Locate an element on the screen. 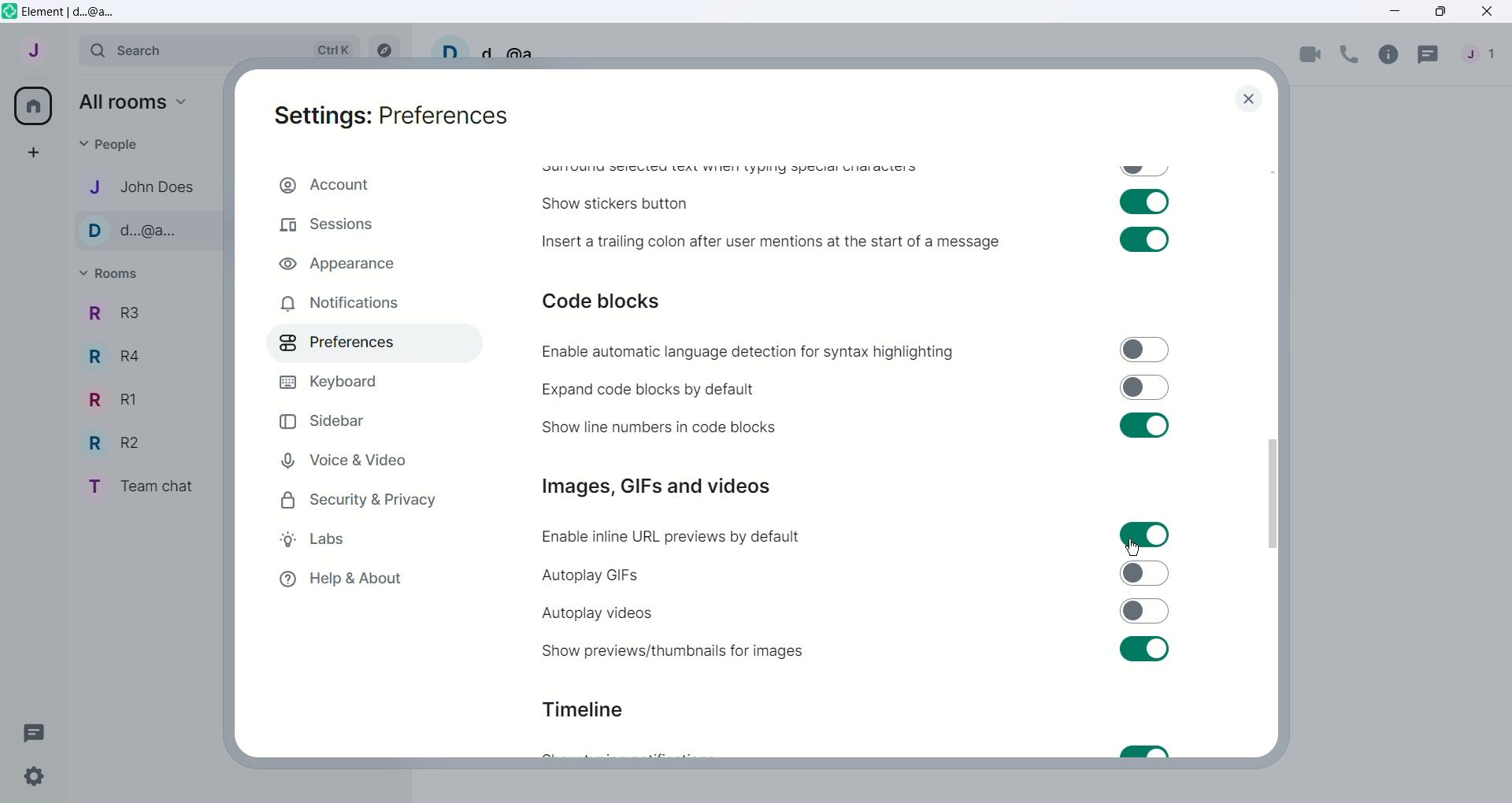  Enable automatic language detection for syntax highlighting is located at coordinates (748, 351).